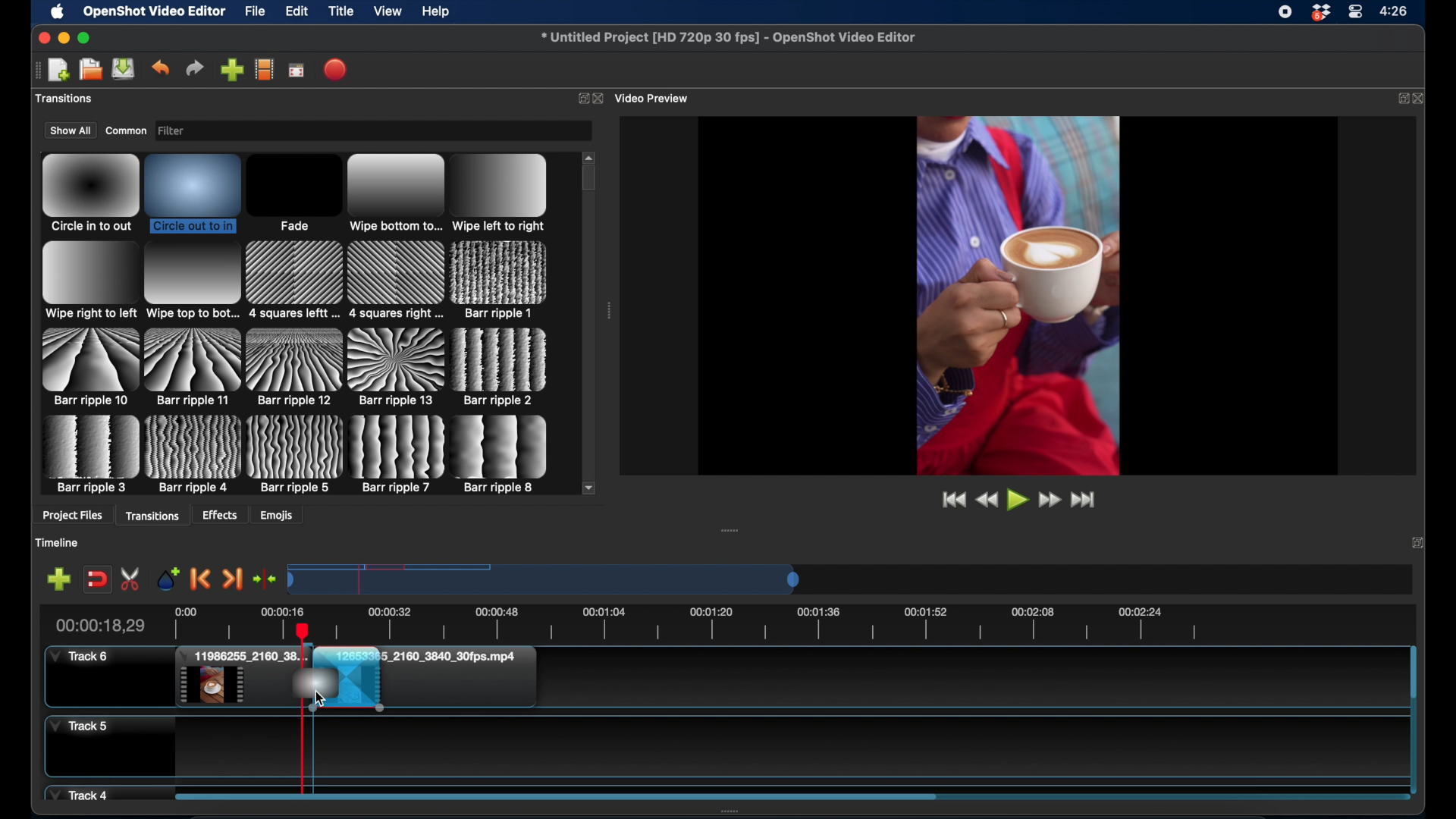 The image size is (1456, 819). Describe the element at coordinates (241, 678) in the screenshot. I see `clip` at that location.